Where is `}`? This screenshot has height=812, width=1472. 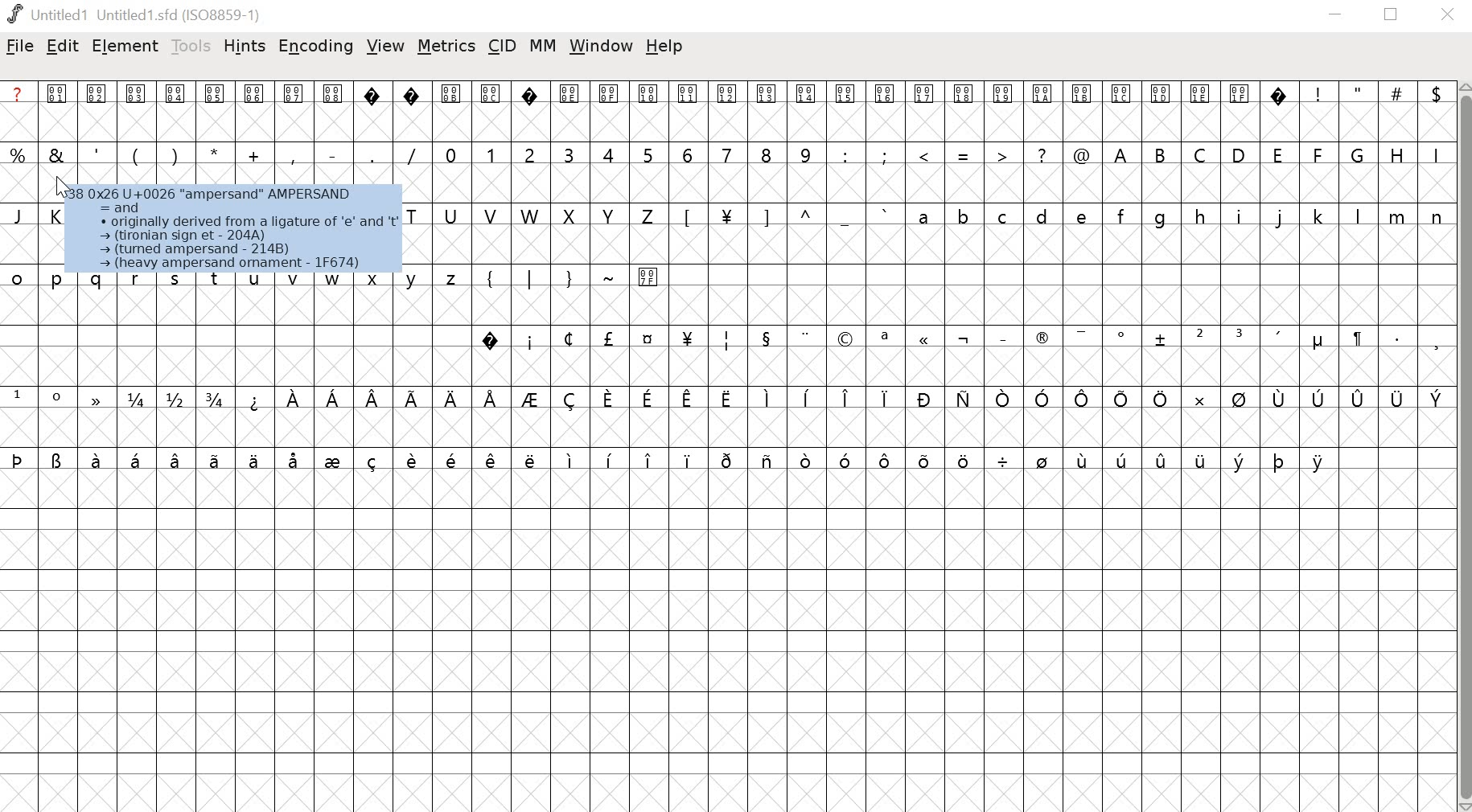 } is located at coordinates (571, 276).